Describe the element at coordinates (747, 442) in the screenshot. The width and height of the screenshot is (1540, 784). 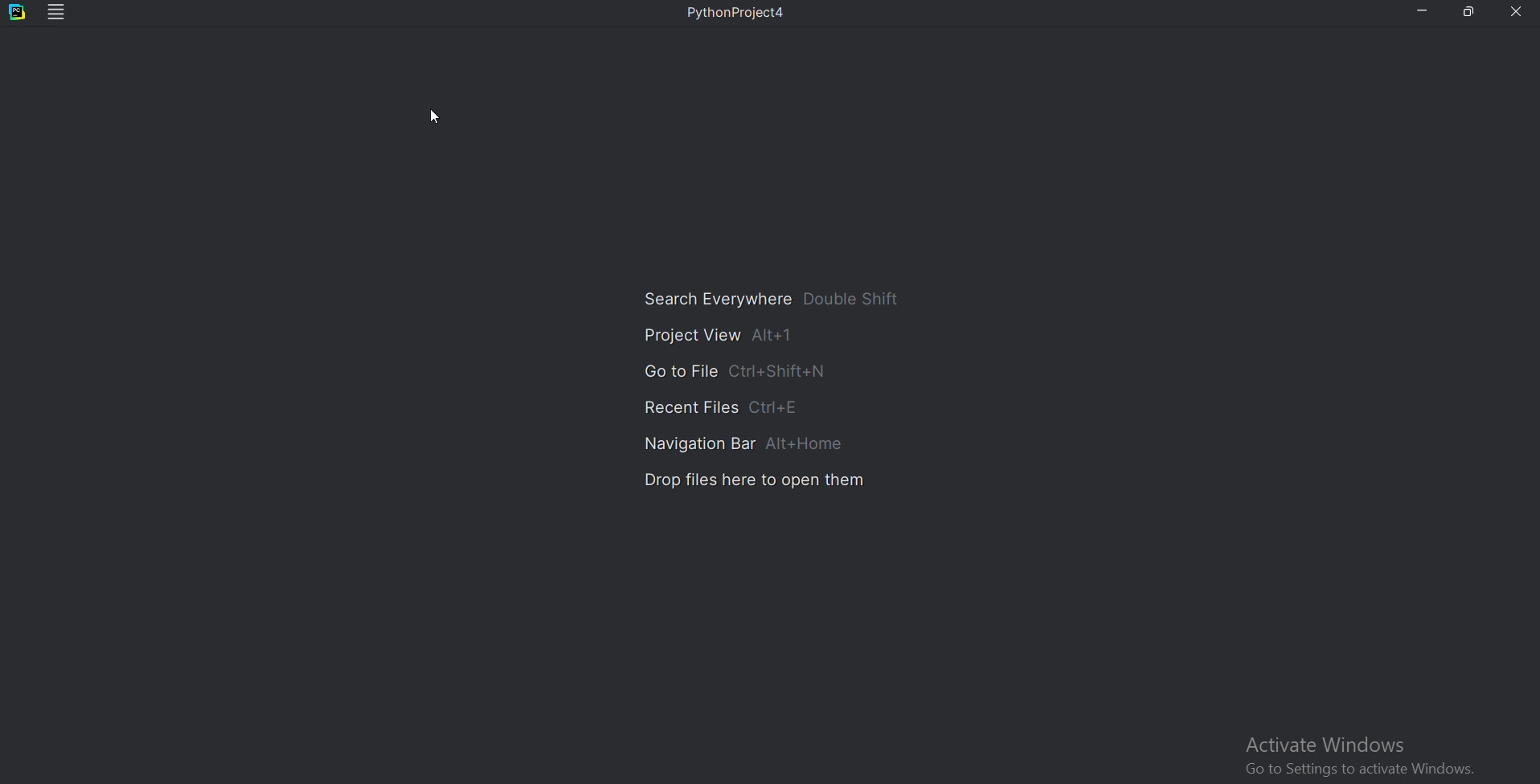
I see `Navigation bar` at that location.